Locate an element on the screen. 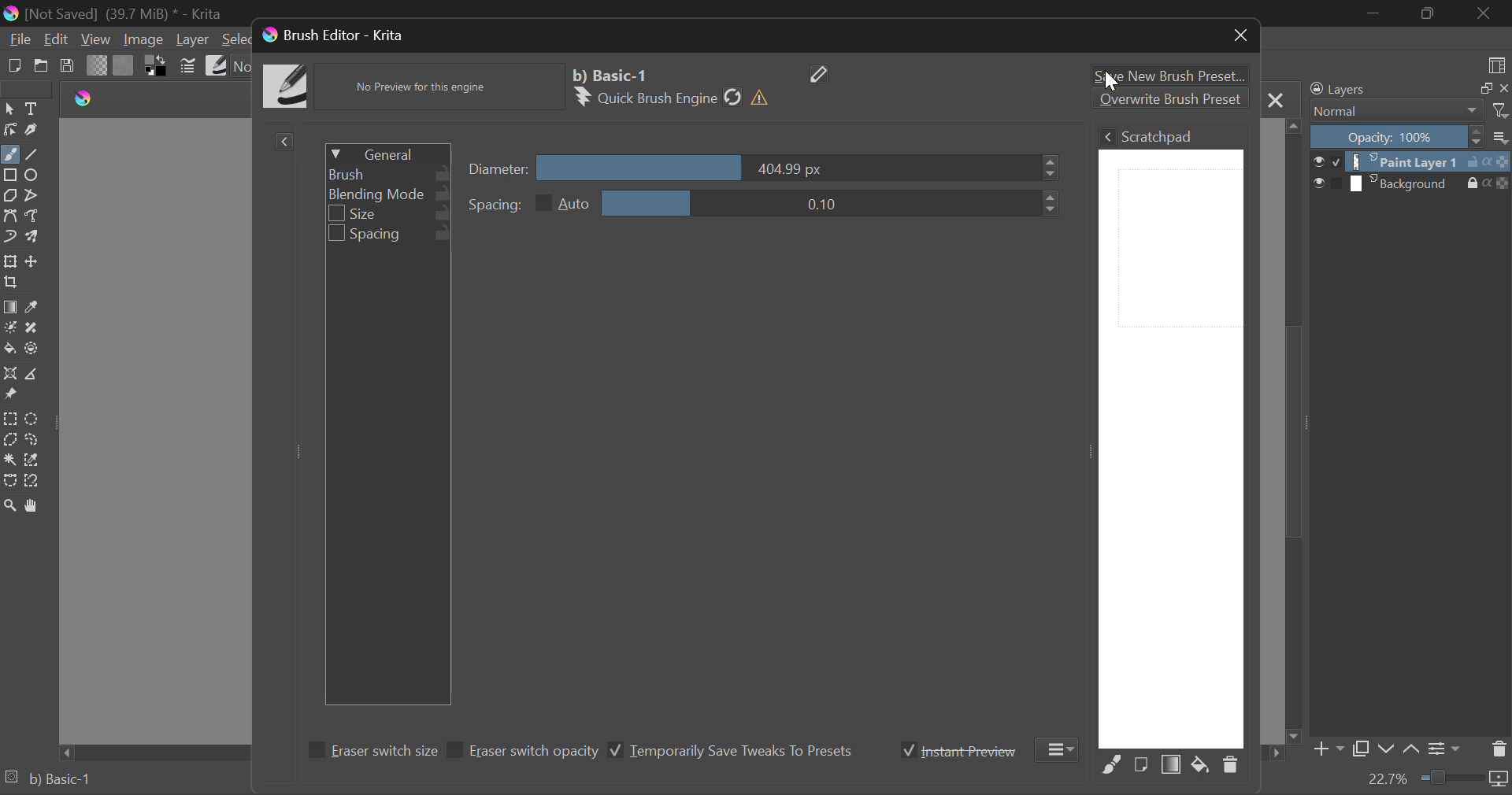  Paint Layer is located at coordinates (1412, 161).